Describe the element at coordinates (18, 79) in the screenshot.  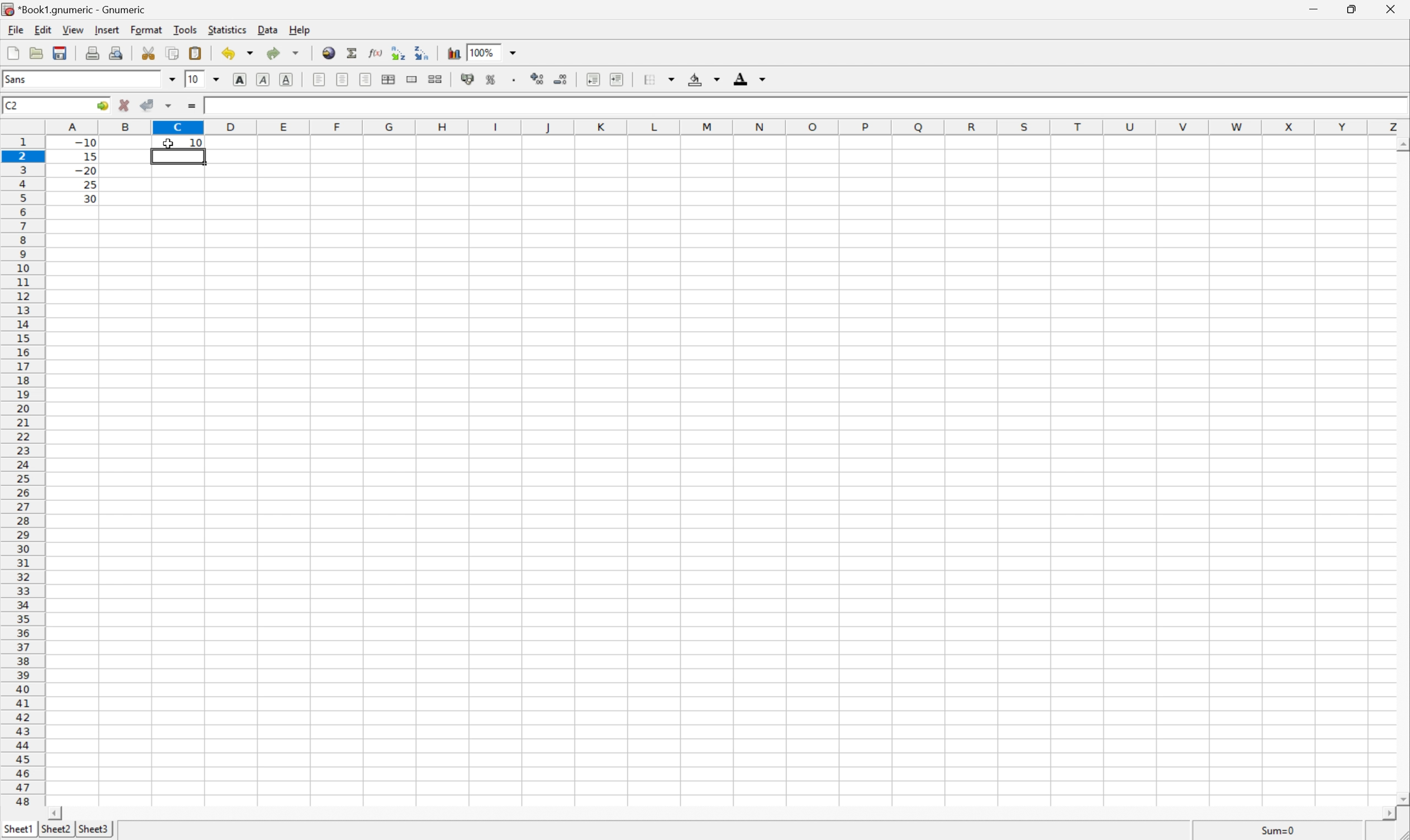
I see `Sans` at that location.